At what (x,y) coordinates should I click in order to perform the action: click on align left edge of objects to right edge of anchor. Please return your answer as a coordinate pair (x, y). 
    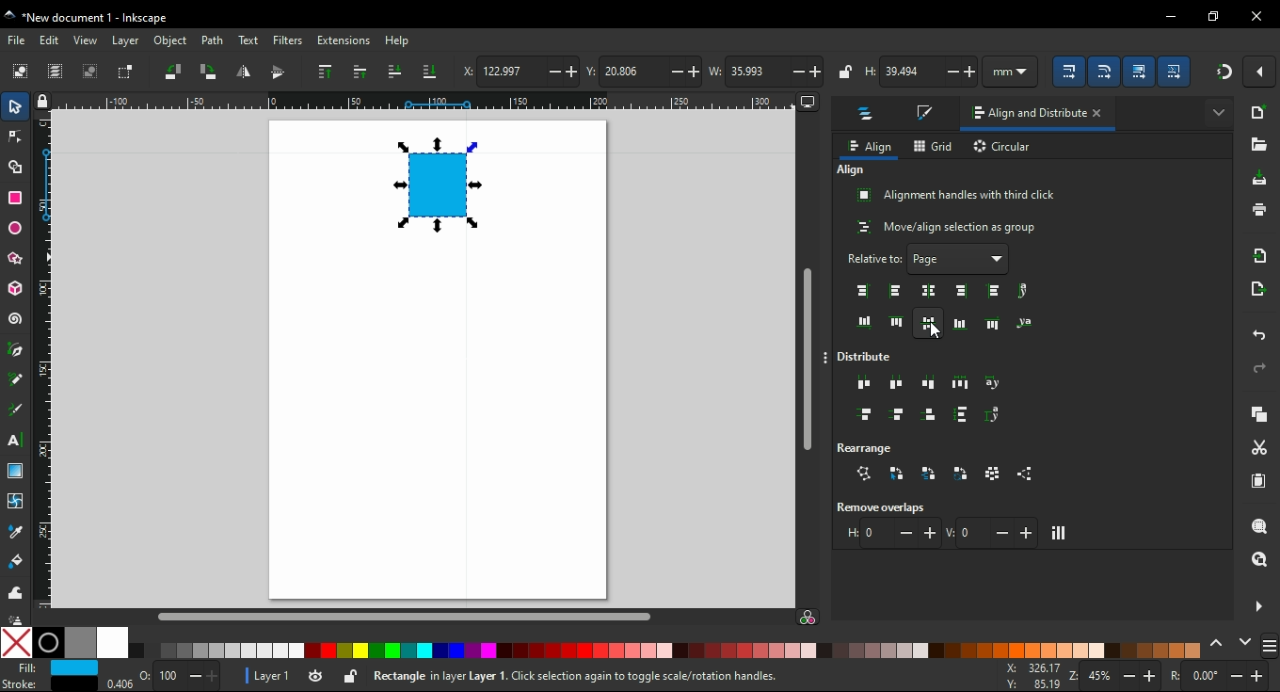
    Looking at the image, I should click on (996, 291).